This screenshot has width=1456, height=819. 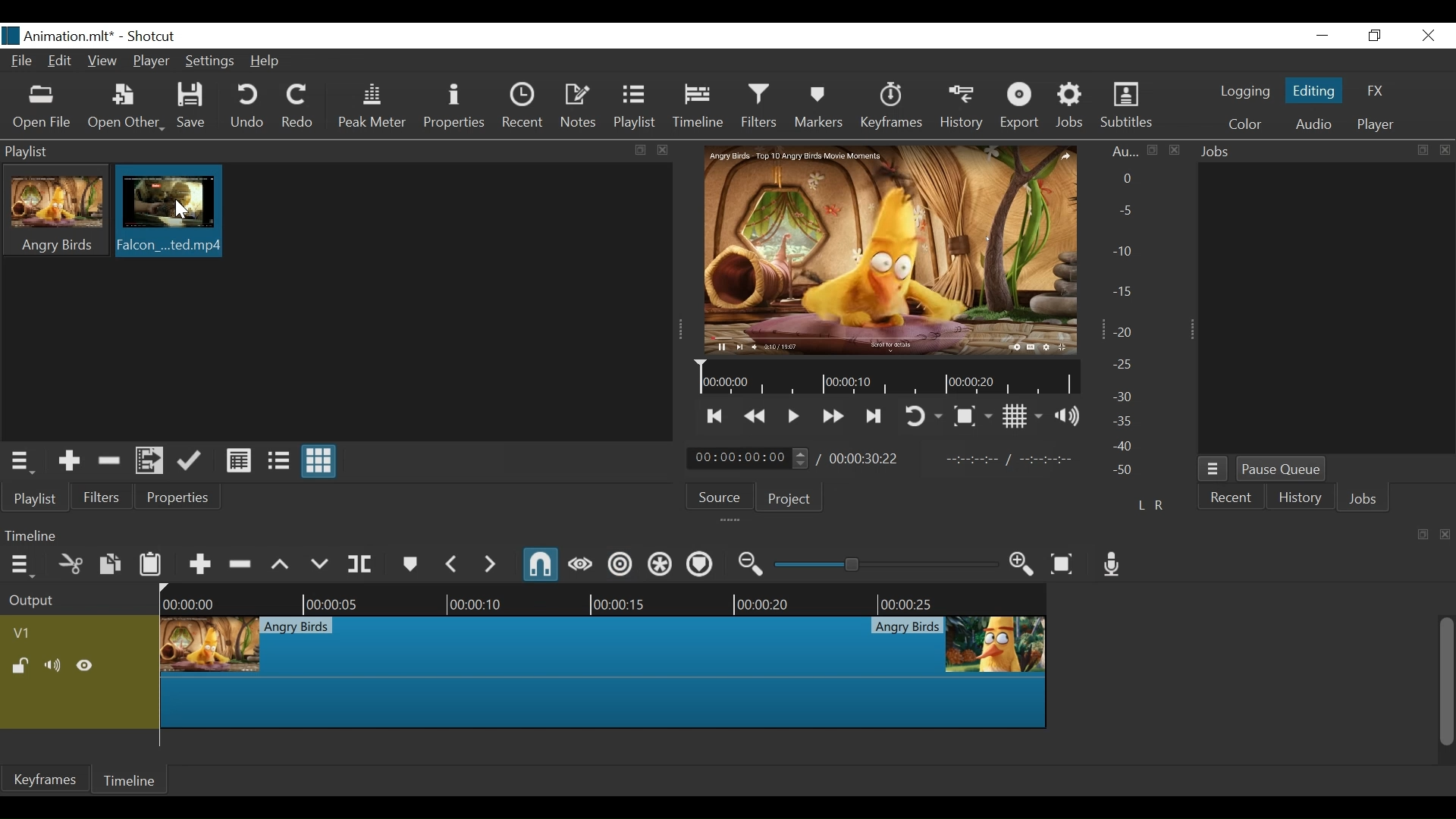 I want to click on Show volume control, so click(x=1068, y=416).